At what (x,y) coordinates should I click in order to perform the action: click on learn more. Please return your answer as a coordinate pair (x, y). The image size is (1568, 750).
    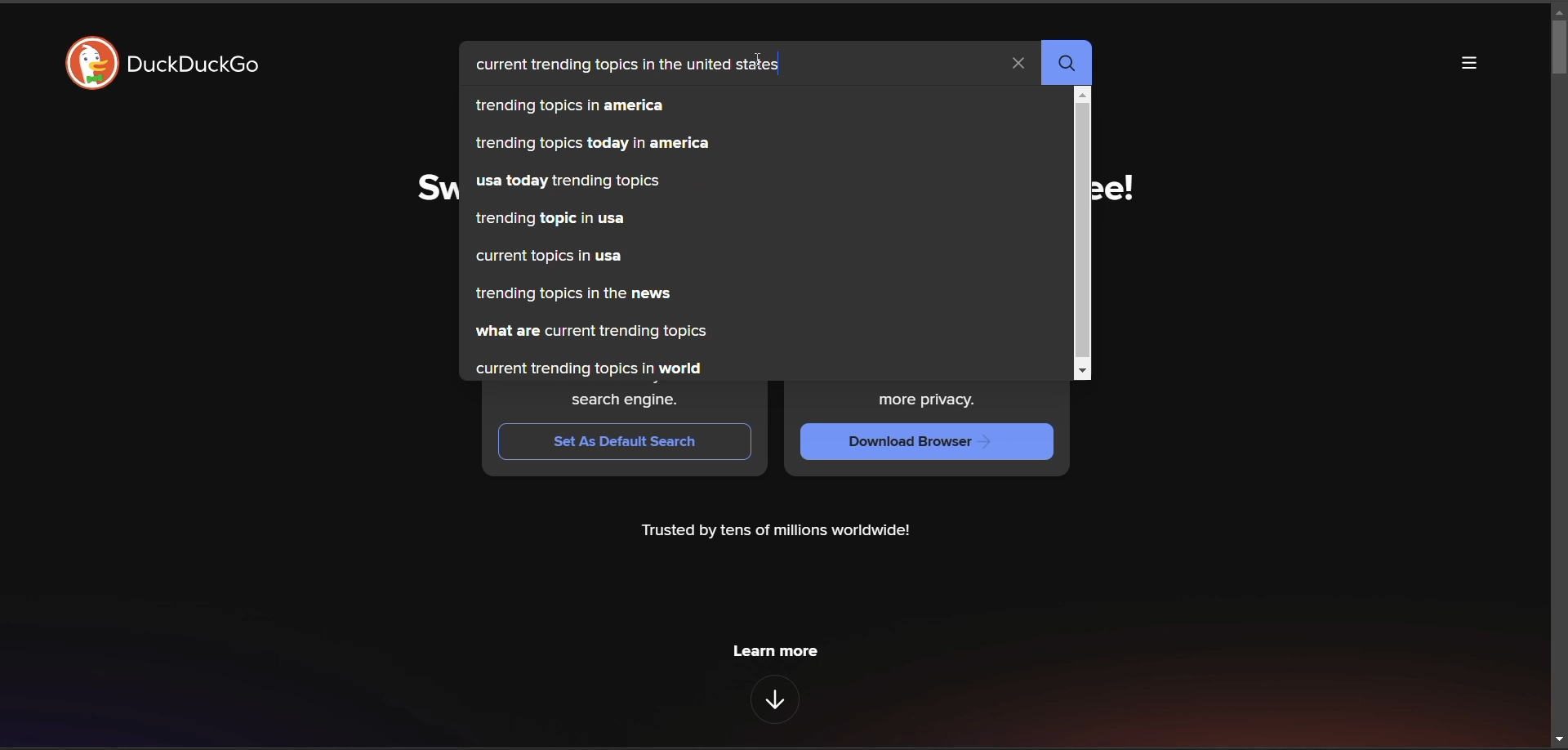
    Looking at the image, I should click on (779, 650).